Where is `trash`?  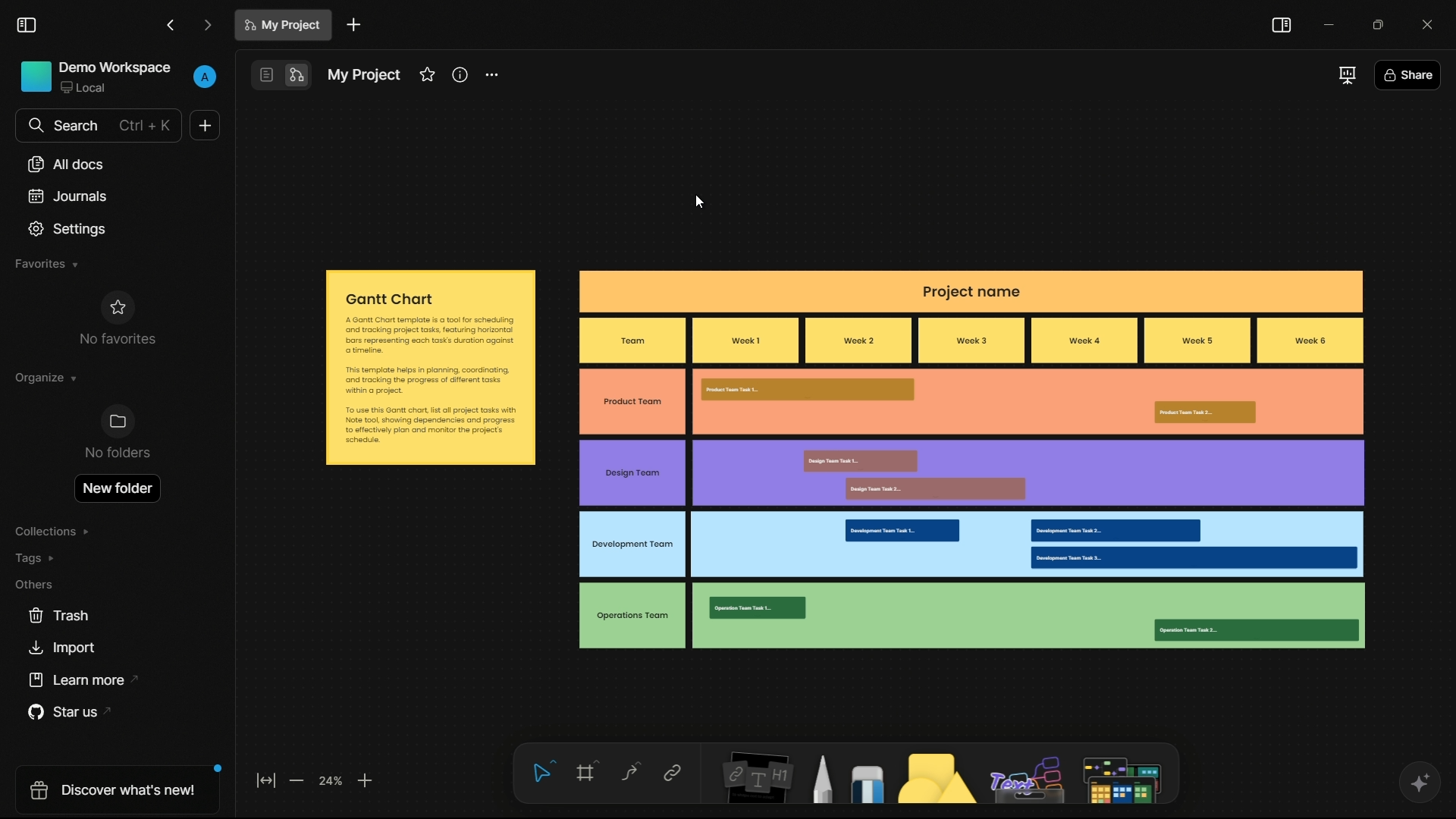 trash is located at coordinates (58, 617).